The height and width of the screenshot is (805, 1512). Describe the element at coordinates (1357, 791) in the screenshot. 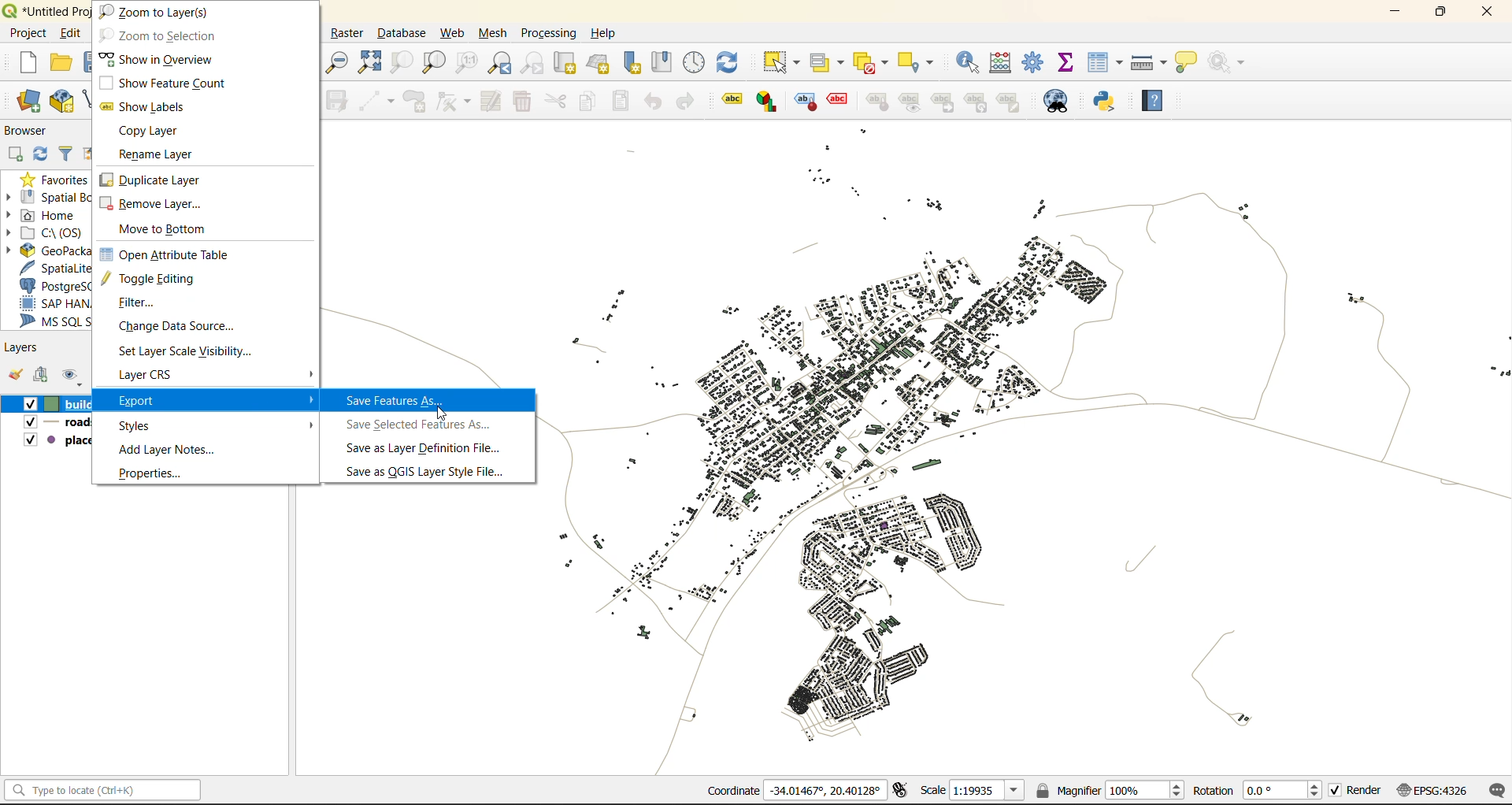

I see `render` at that location.